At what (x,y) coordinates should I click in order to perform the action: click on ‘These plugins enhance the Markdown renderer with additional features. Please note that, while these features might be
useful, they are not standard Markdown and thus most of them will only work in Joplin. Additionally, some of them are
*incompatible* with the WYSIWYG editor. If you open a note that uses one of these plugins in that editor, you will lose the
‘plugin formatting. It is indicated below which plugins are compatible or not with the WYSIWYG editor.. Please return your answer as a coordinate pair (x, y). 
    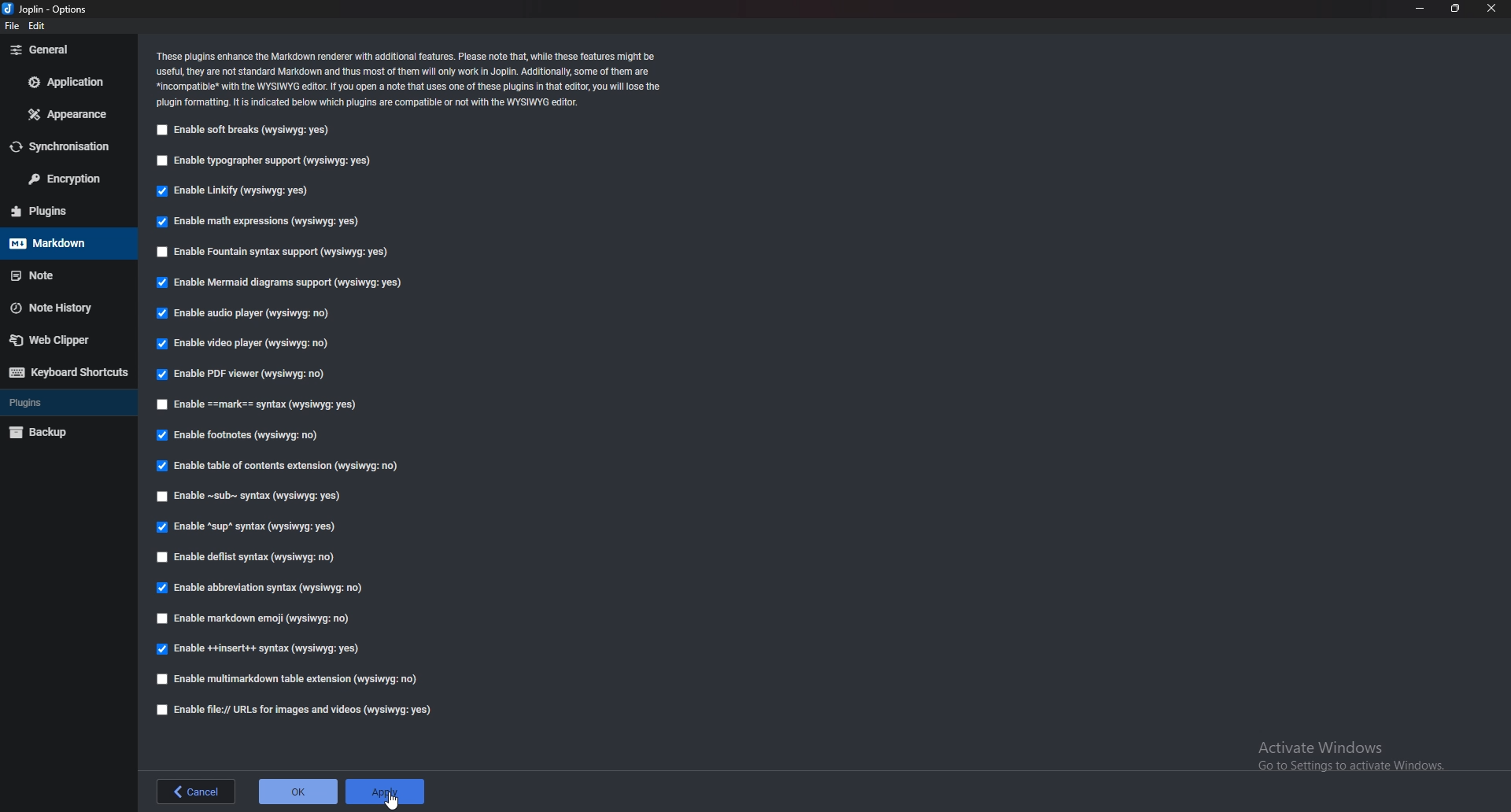
    Looking at the image, I should click on (412, 76).